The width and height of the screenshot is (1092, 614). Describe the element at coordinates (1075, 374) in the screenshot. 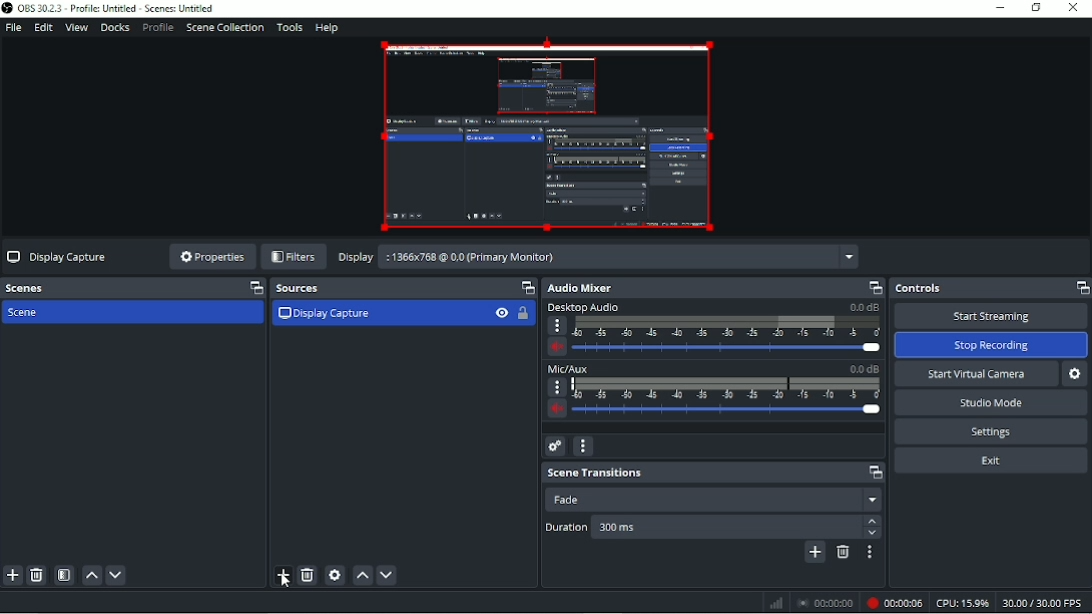

I see `Configure virtual camera` at that location.